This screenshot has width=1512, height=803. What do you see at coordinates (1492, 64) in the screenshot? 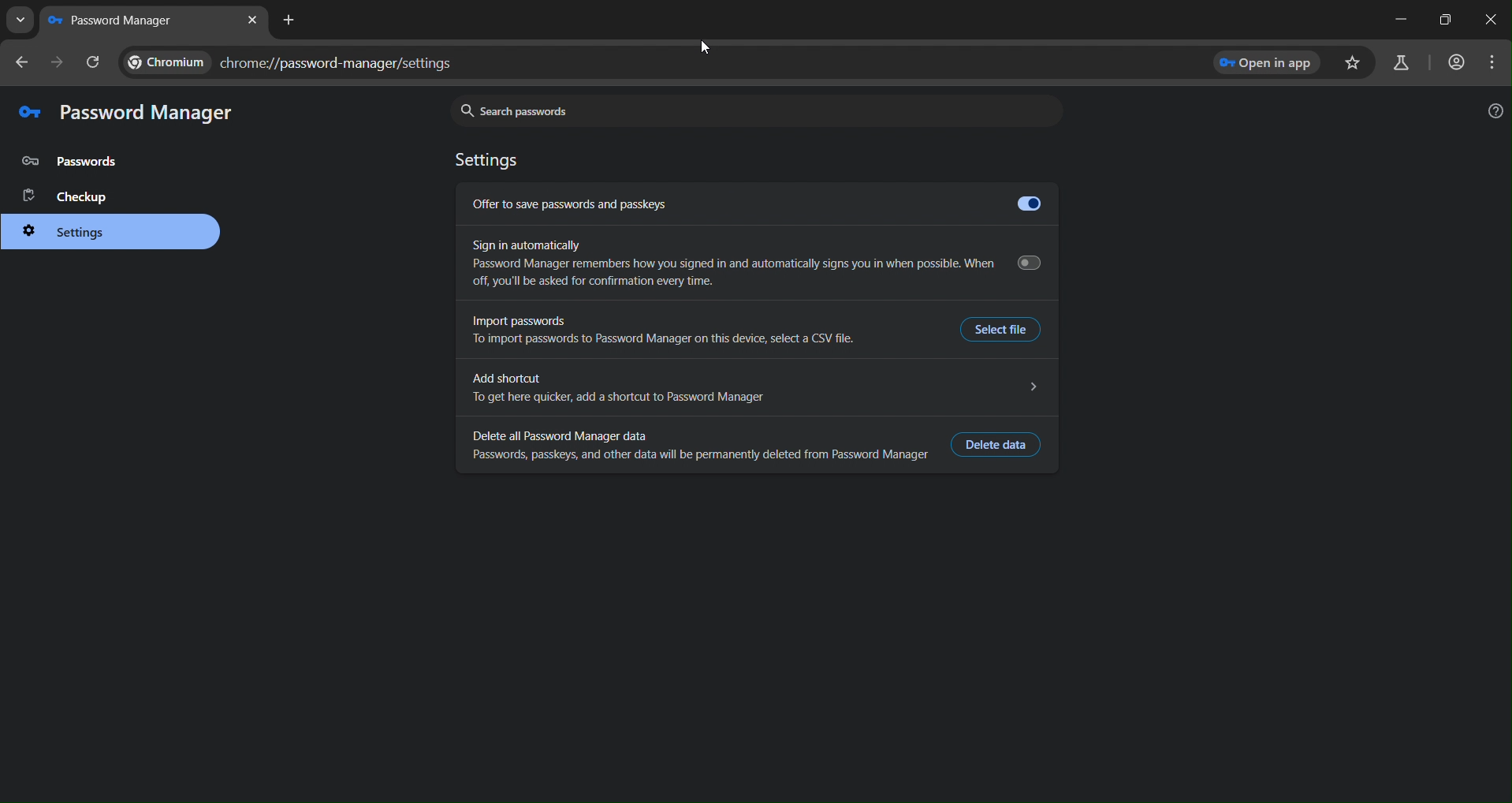
I see `menu` at bounding box center [1492, 64].